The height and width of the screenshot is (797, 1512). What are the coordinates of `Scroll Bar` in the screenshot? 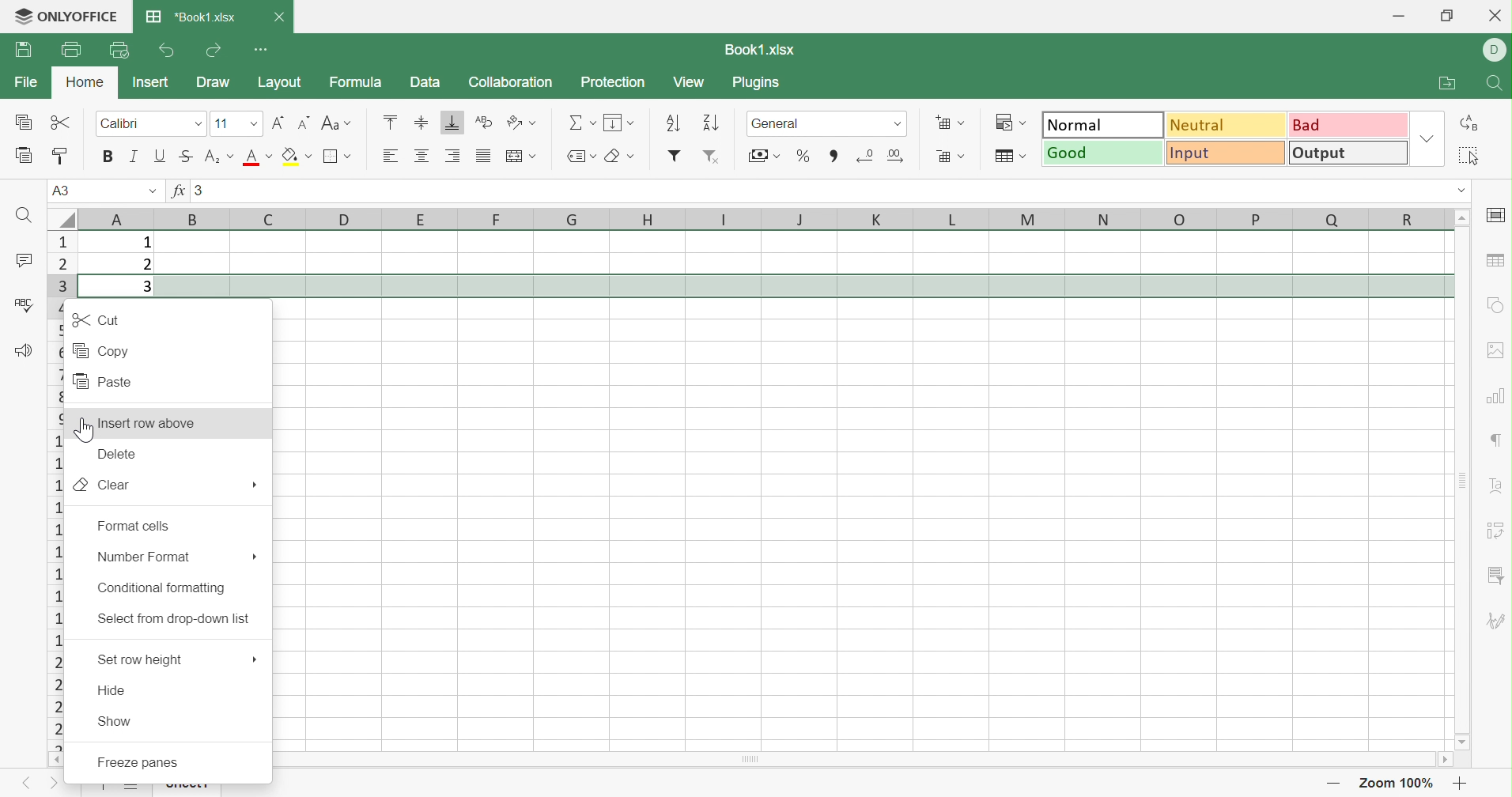 It's located at (856, 758).